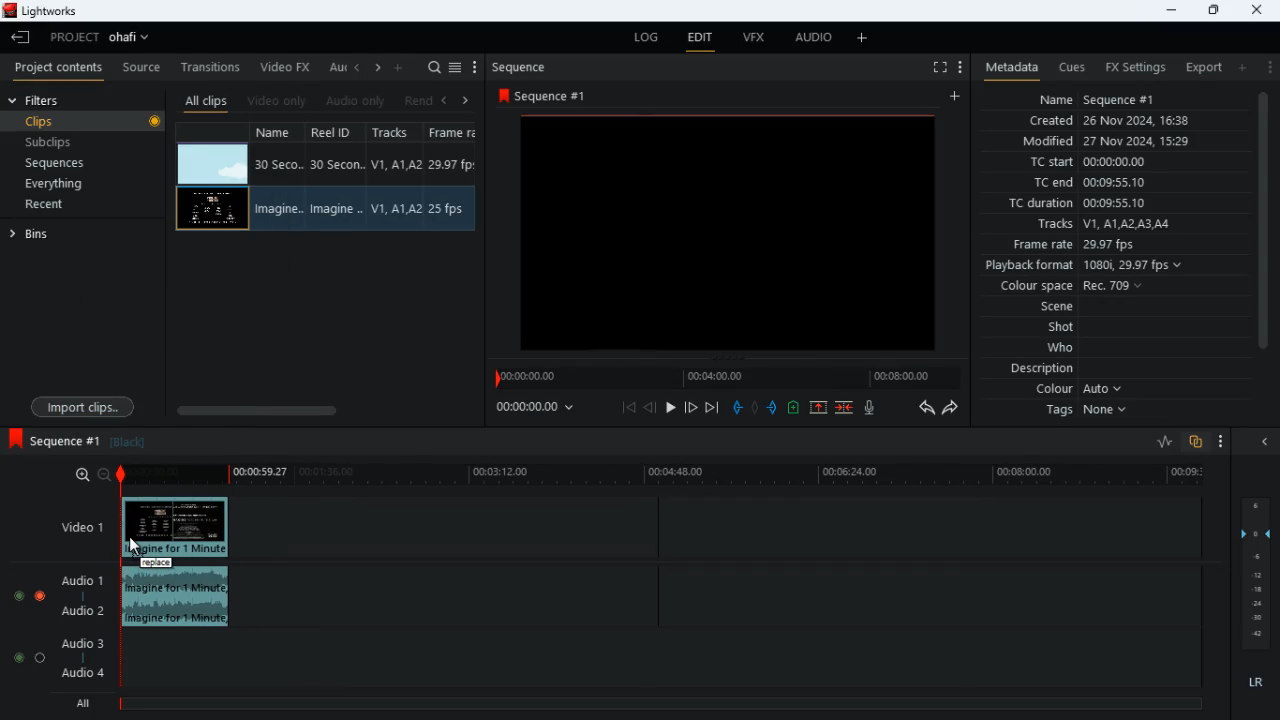 The width and height of the screenshot is (1280, 720). Describe the element at coordinates (1063, 329) in the screenshot. I see `shot` at that location.